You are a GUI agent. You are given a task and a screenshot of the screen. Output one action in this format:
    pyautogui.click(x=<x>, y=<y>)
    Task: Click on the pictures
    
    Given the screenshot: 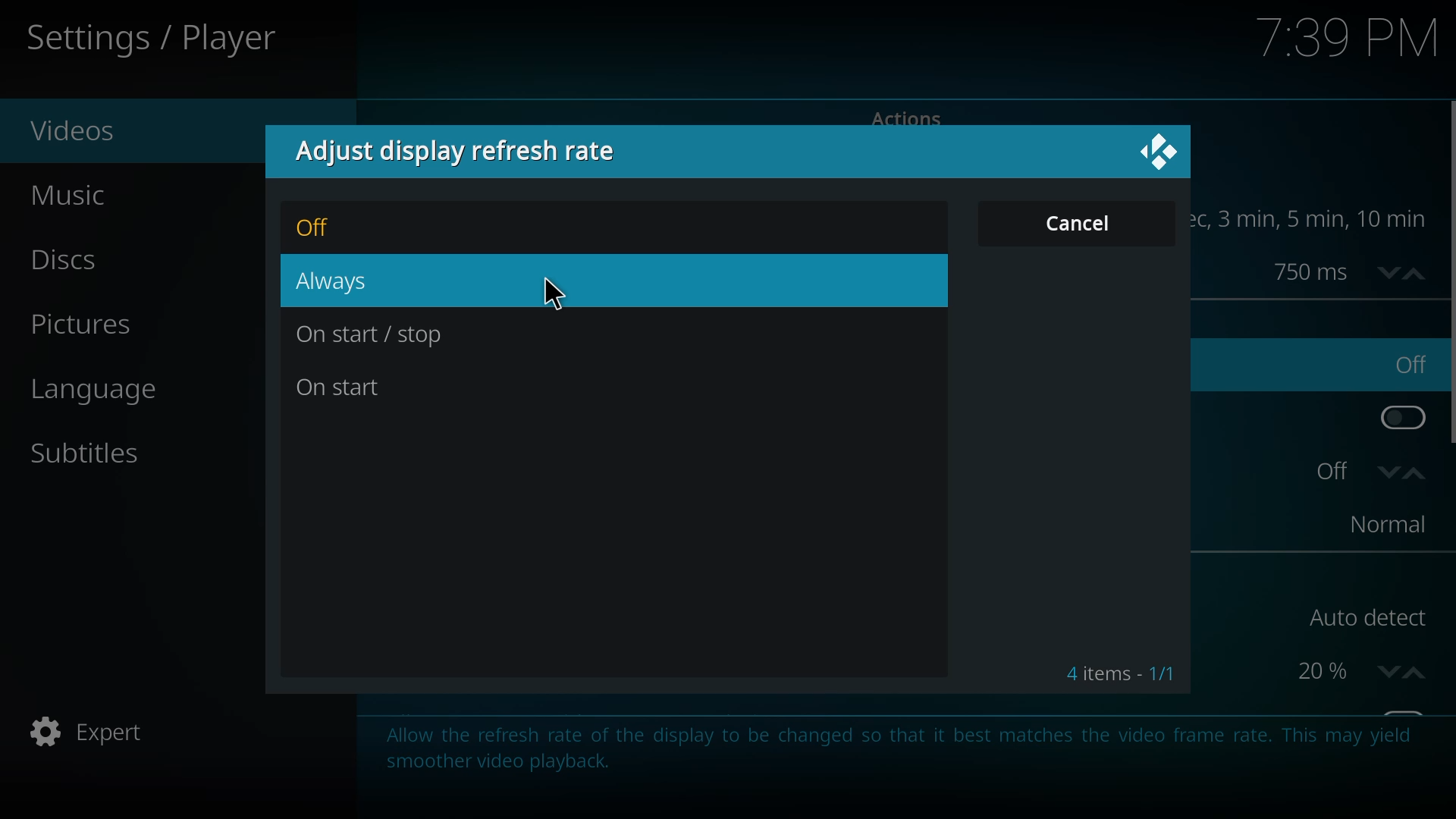 What is the action you would take?
    pyautogui.click(x=80, y=326)
    